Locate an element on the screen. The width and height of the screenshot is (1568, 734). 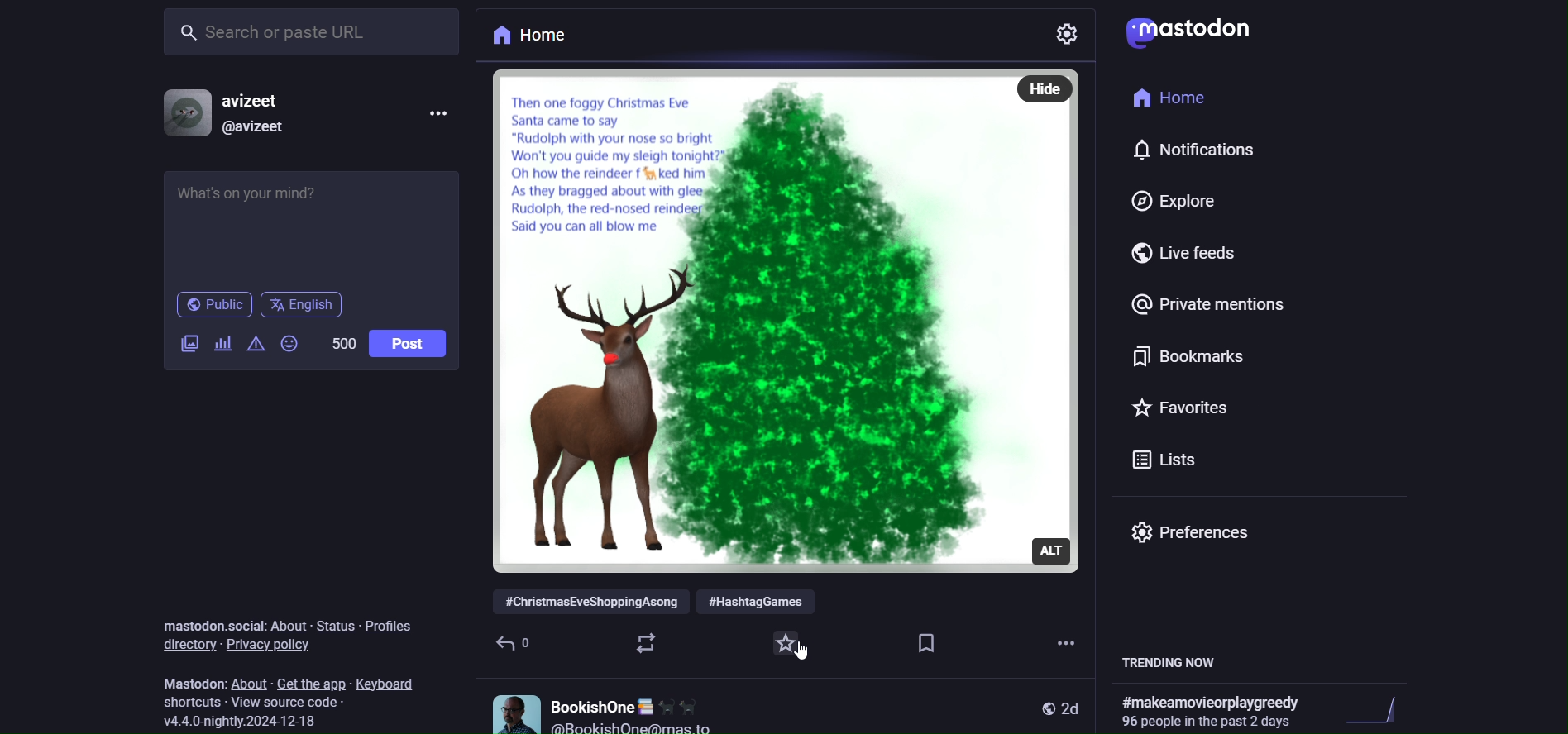
directory is located at coordinates (185, 643).